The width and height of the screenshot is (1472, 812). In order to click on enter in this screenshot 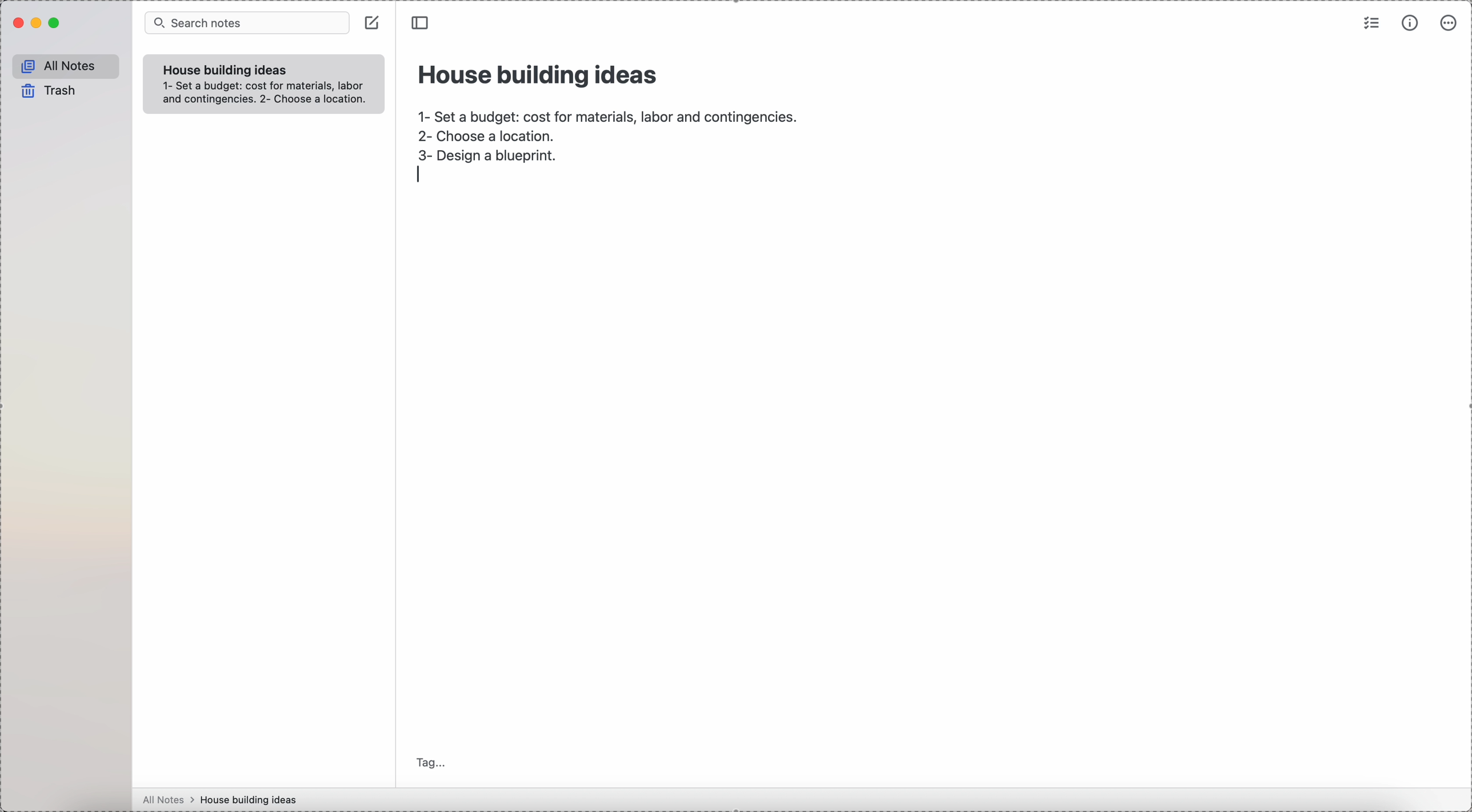, I will do `click(417, 175)`.